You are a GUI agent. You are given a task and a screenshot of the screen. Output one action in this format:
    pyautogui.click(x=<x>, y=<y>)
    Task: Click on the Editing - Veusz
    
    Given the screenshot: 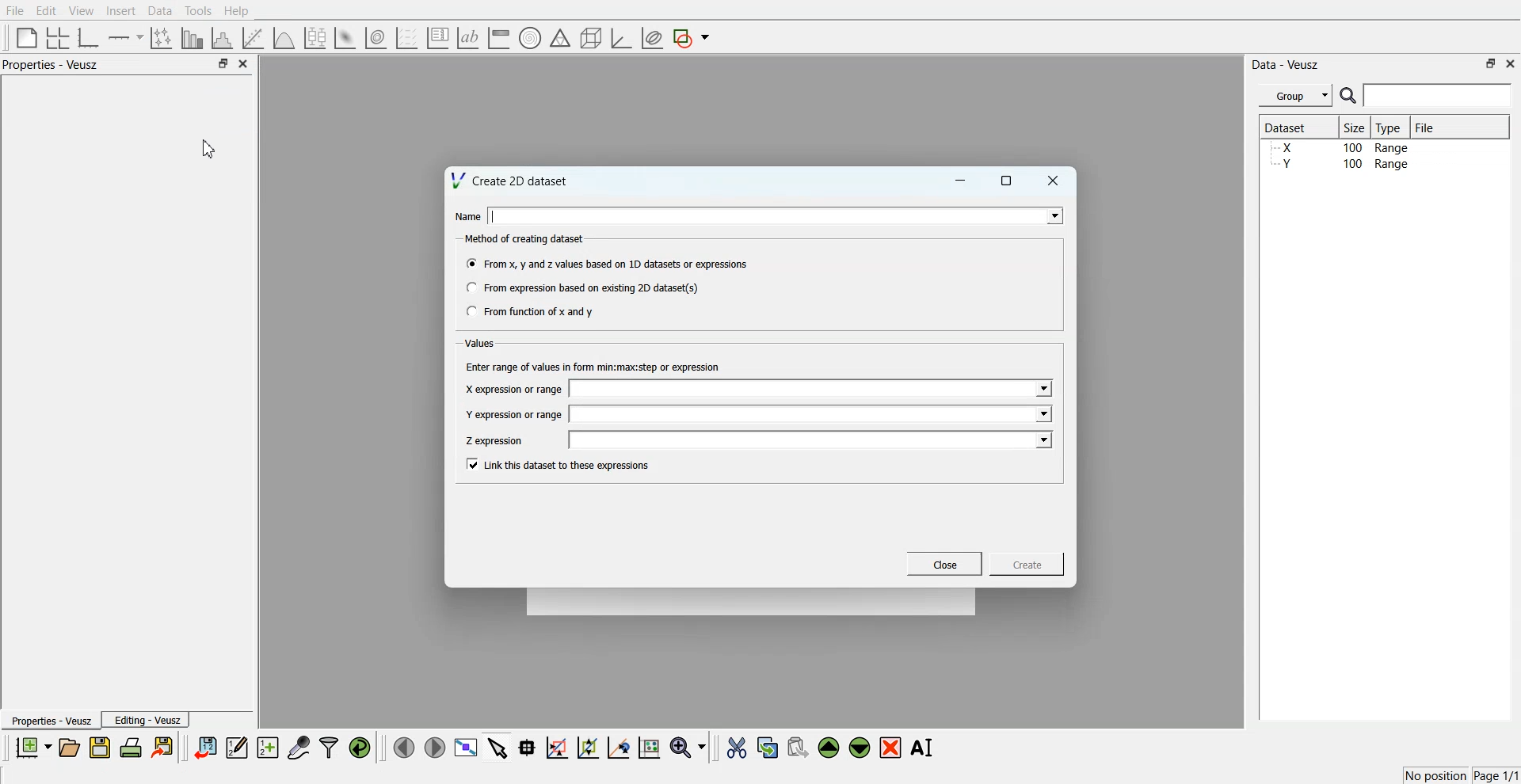 What is the action you would take?
    pyautogui.click(x=146, y=719)
    